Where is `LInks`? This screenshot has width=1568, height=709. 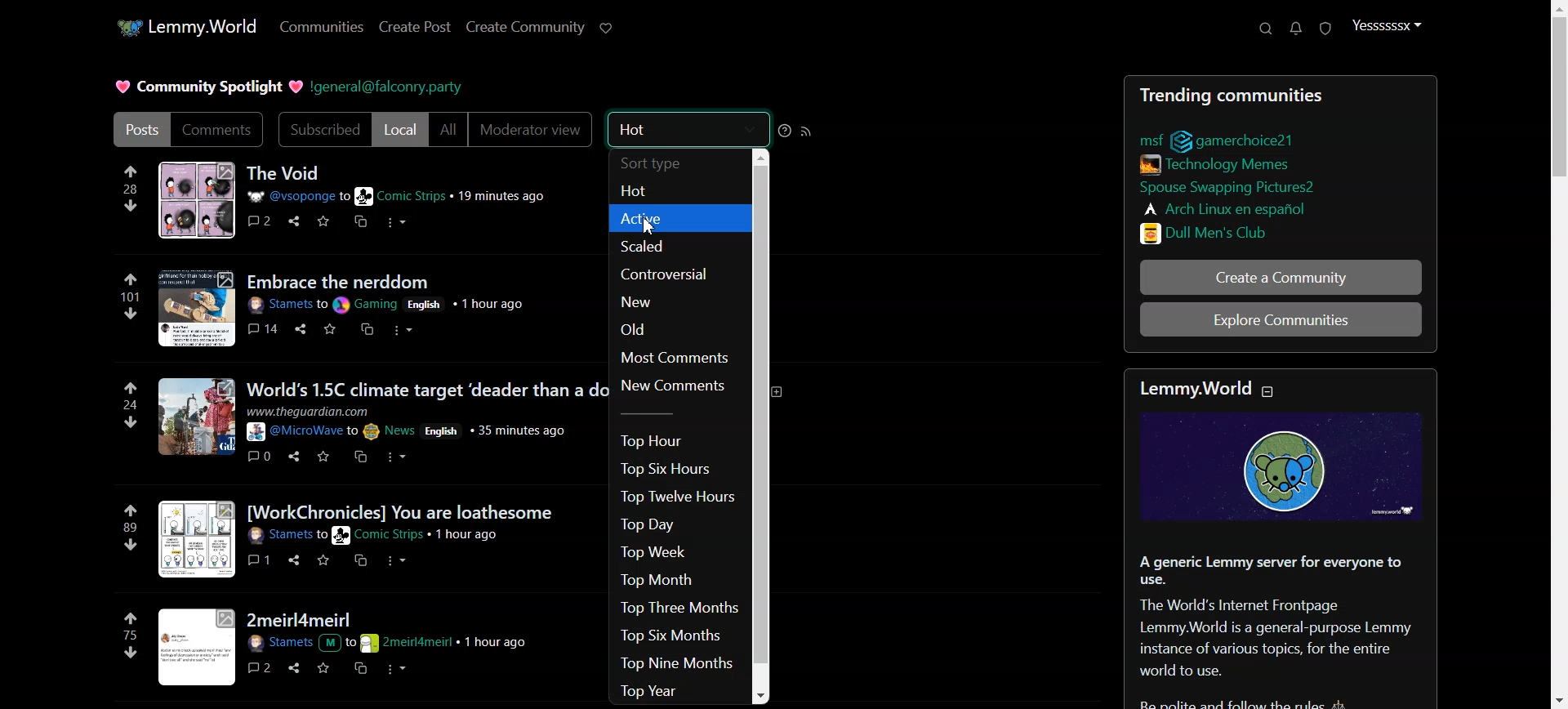
LInks is located at coordinates (1249, 139).